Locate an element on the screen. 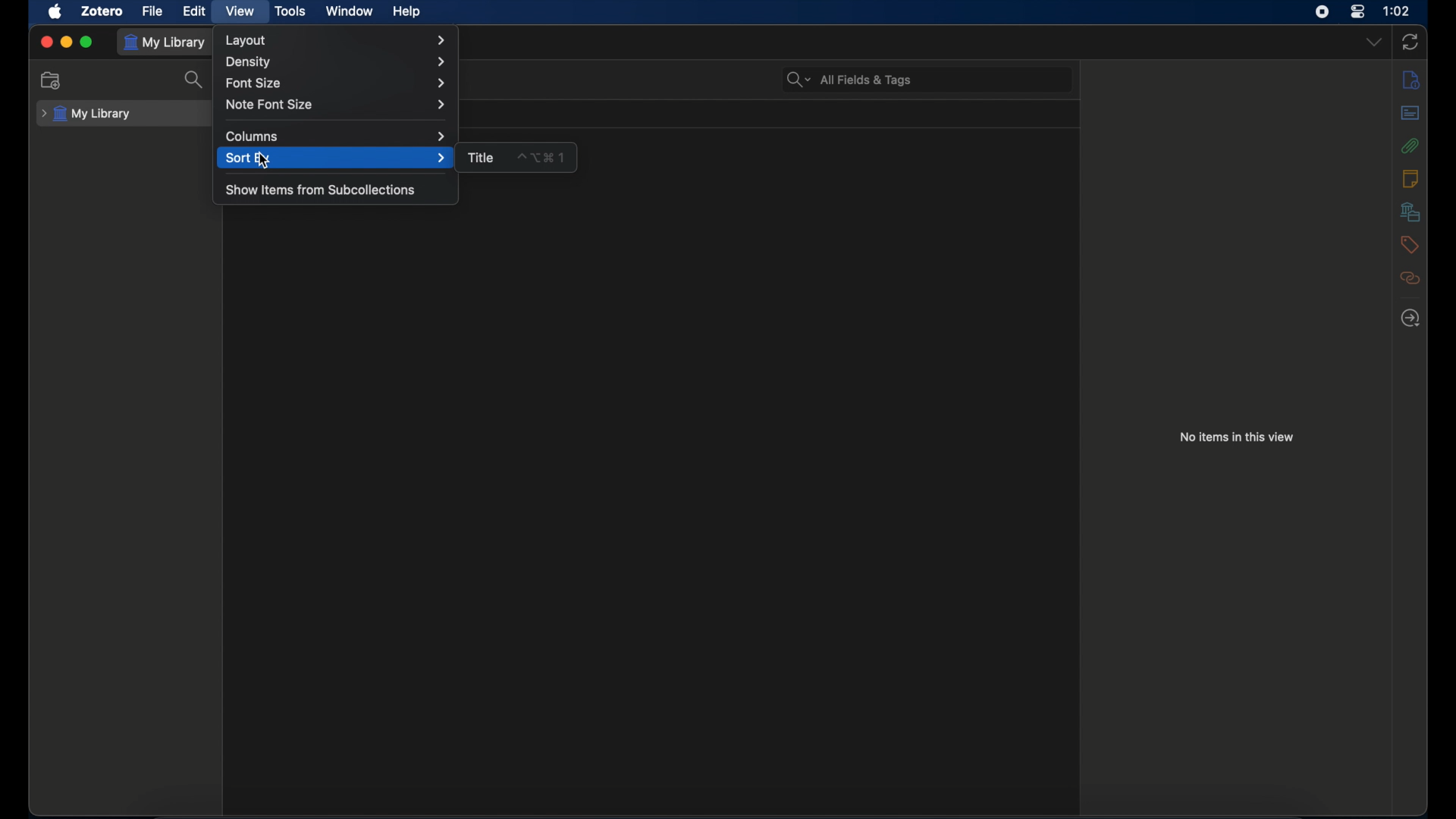 This screenshot has height=819, width=1456. note font size is located at coordinates (337, 105).